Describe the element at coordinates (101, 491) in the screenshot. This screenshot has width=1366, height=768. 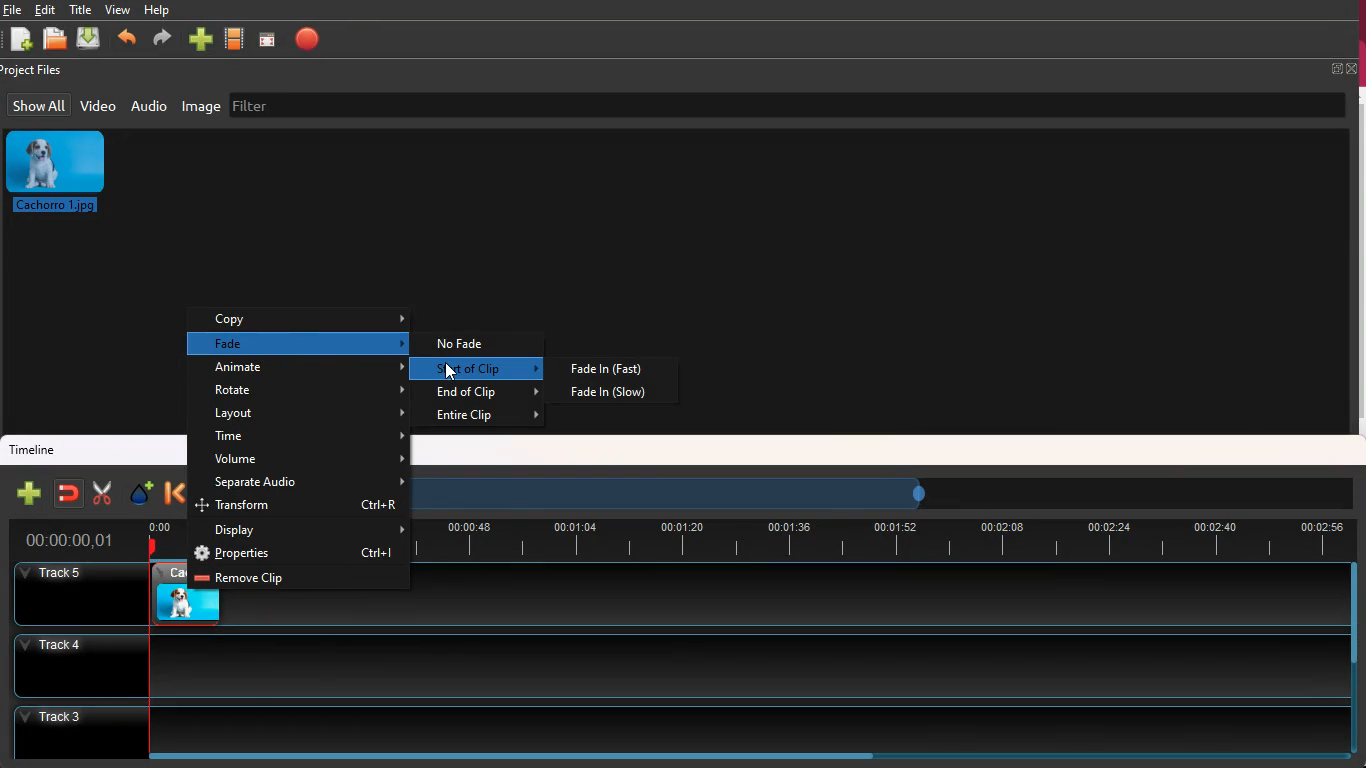
I see `cut` at that location.